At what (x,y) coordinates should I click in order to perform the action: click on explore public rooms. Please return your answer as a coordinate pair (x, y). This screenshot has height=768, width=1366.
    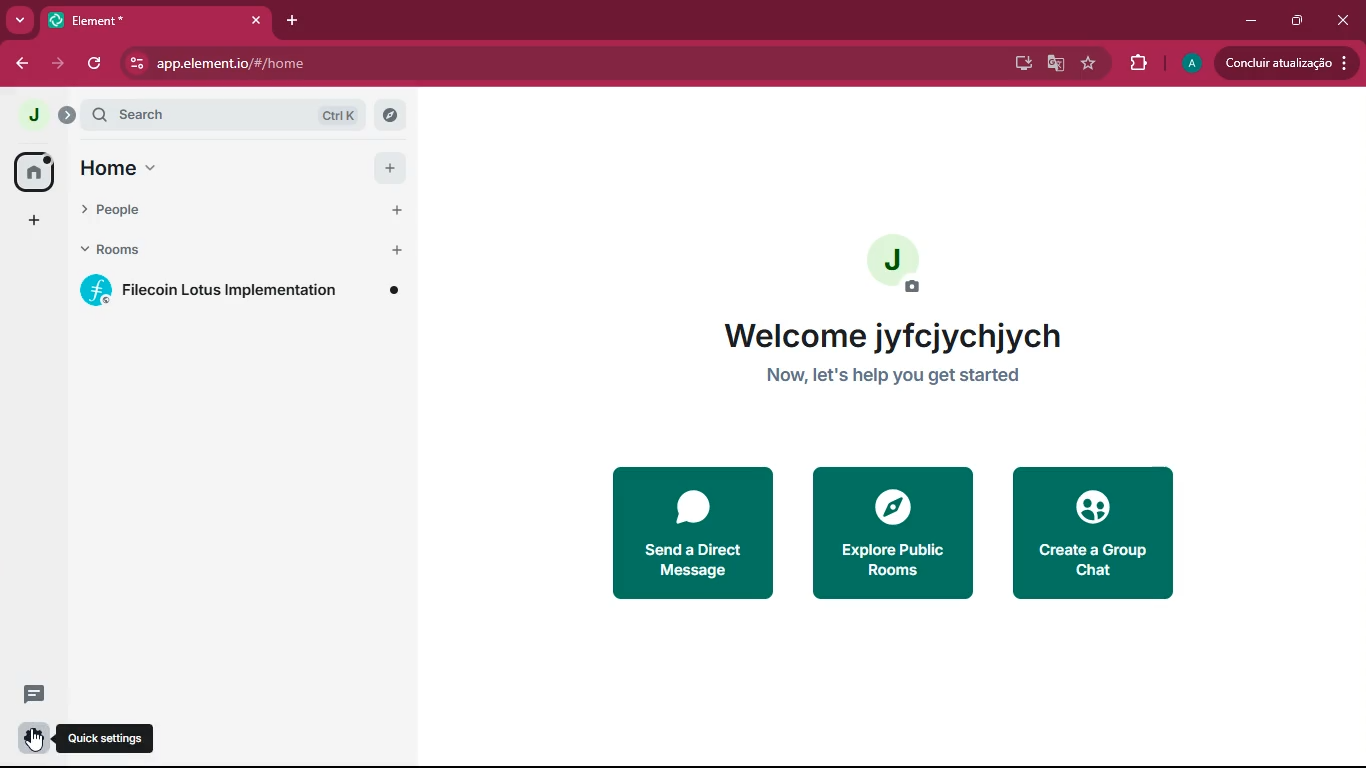
    Looking at the image, I should click on (895, 533).